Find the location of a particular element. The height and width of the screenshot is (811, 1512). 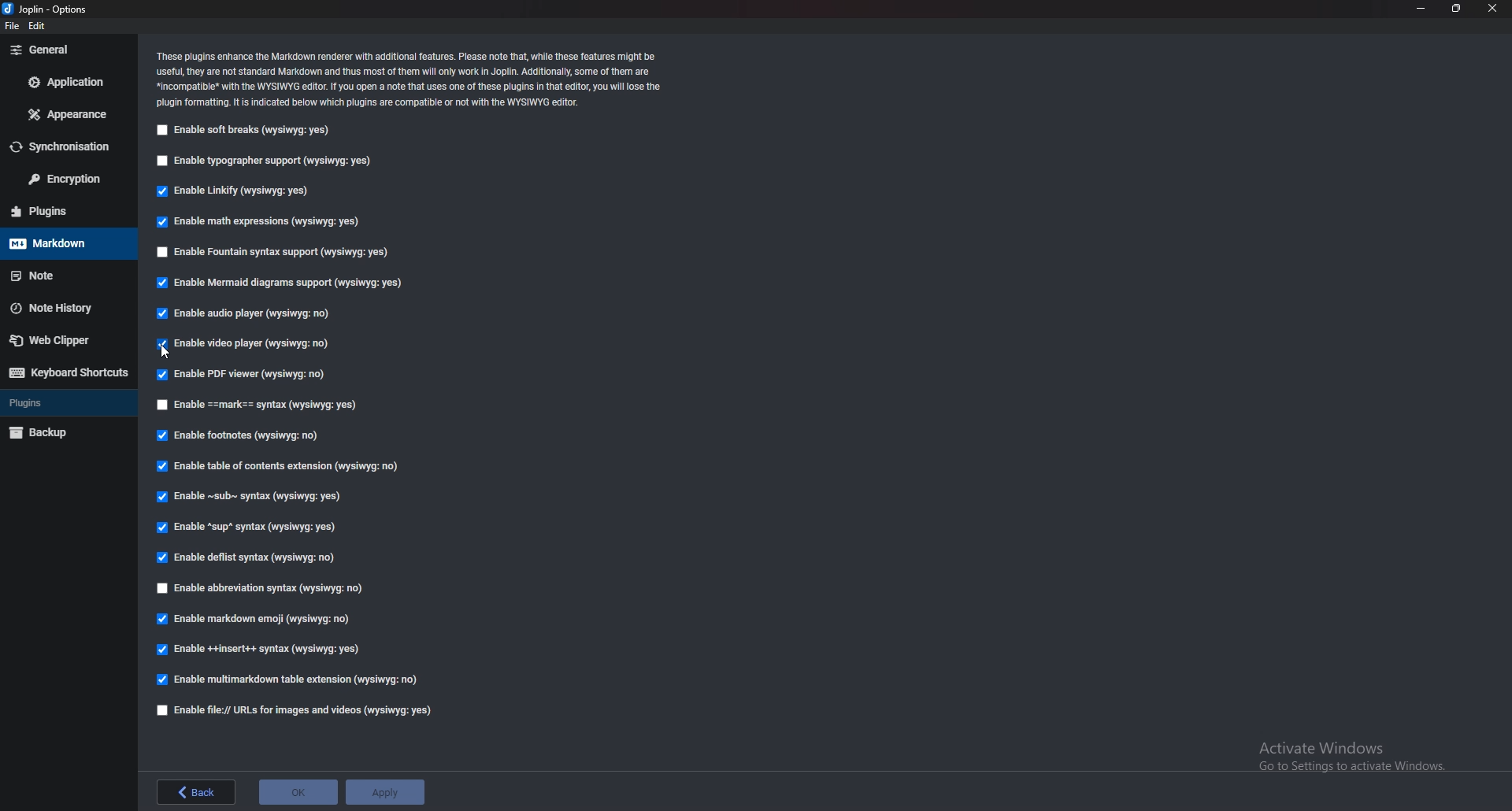

enable Deflist Syntax (wysiqyg:no) is located at coordinates (250, 558).